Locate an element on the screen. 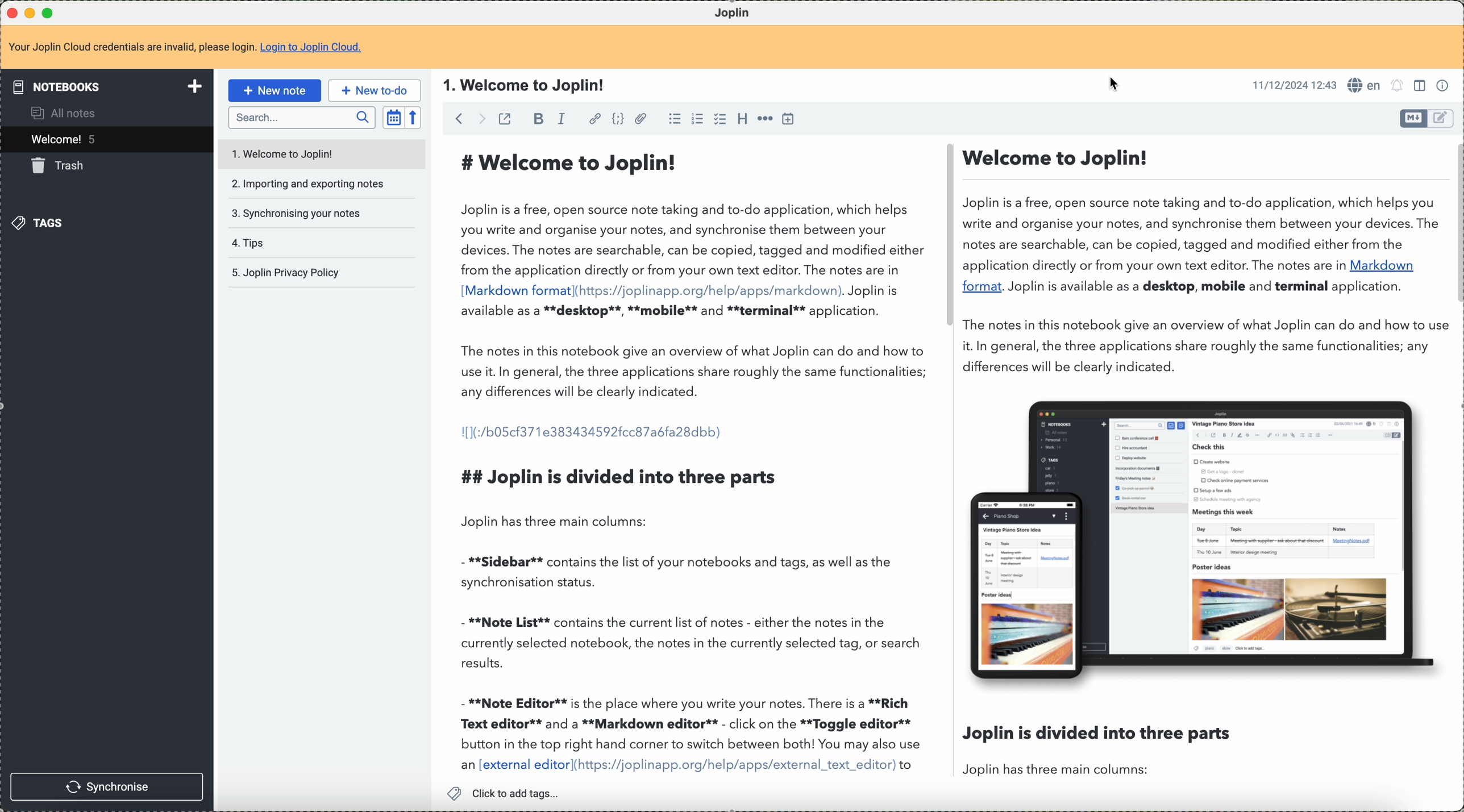  Joplin is located at coordinates (740, 11).